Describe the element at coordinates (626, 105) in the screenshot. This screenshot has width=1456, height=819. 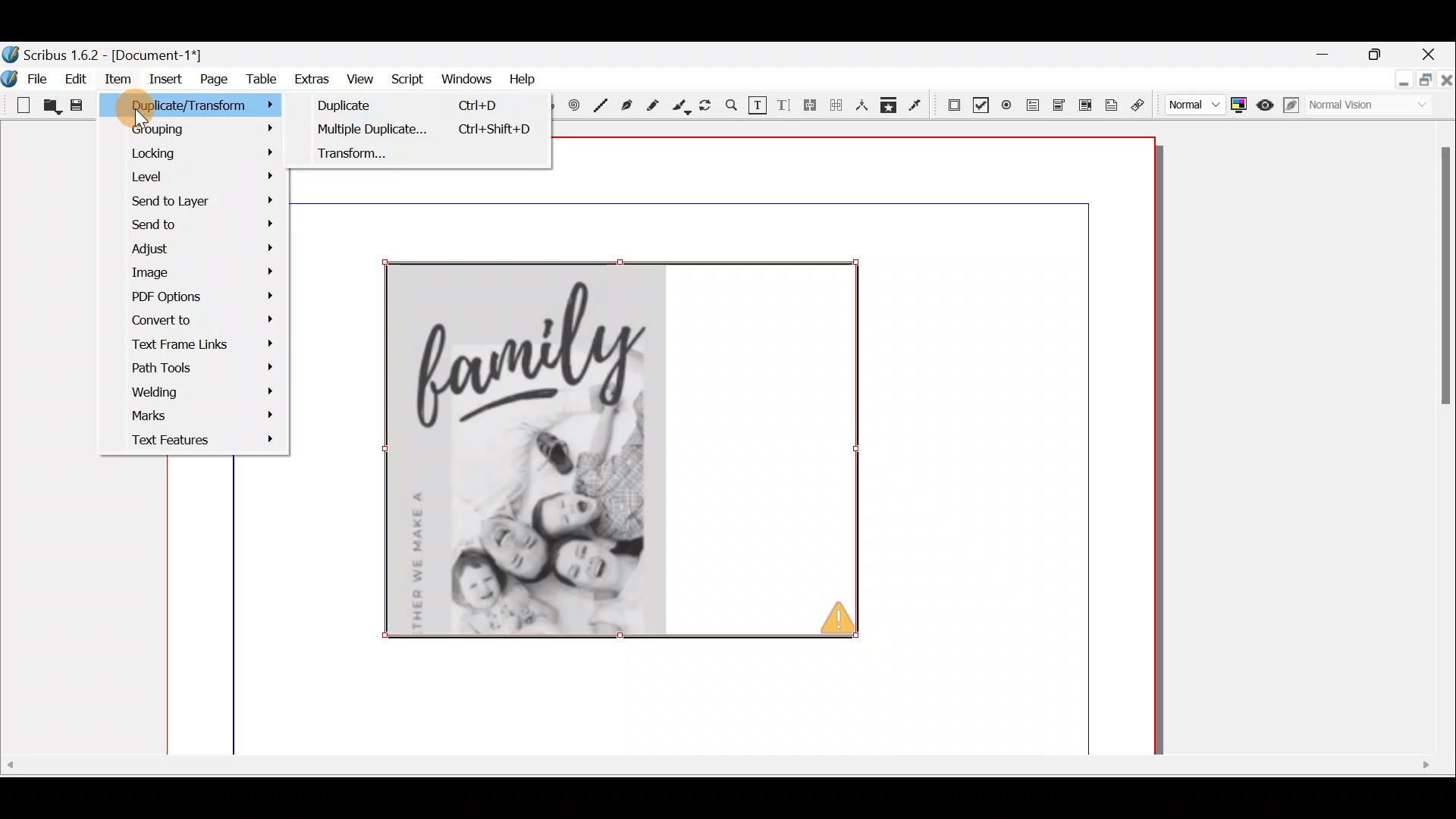
I see `Bezier curver` at that location.